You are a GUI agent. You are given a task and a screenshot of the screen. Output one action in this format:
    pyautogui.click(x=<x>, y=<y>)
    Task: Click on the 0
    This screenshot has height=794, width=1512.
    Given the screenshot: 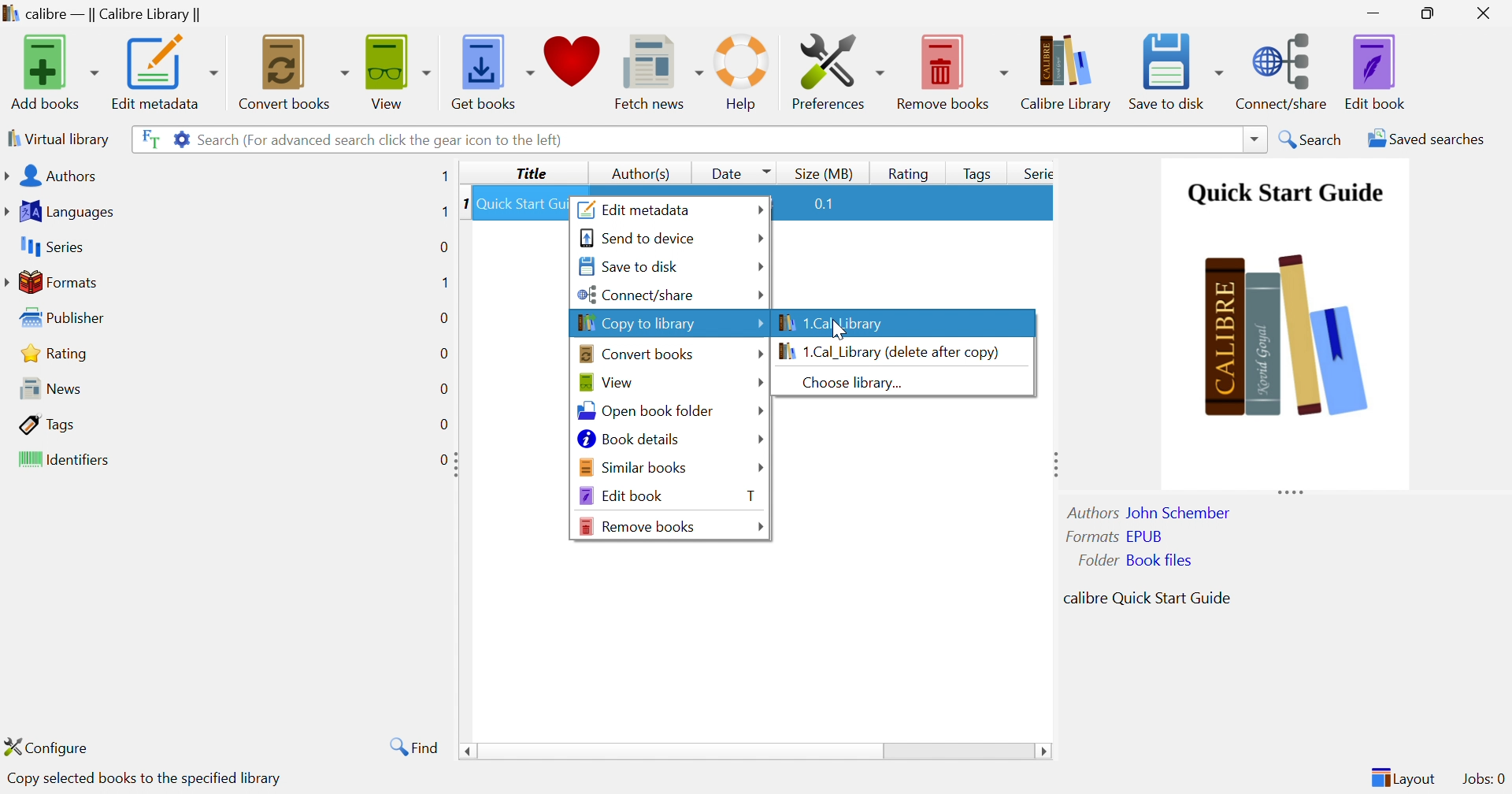 What is the action you would take?
    pyautogui.click(x=442, y=388)
    